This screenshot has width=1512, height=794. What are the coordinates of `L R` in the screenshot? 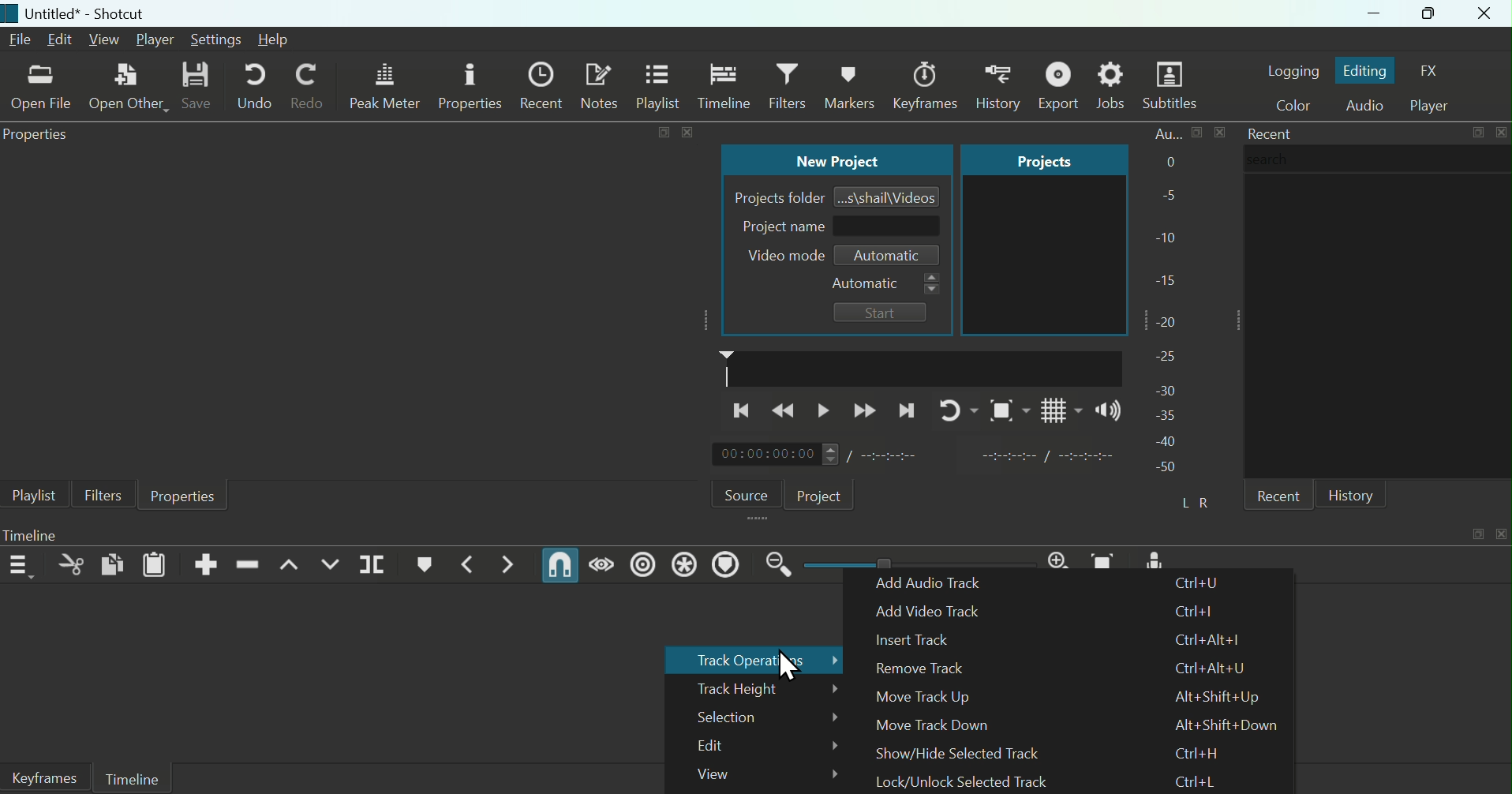 It's located at (1200, 503).